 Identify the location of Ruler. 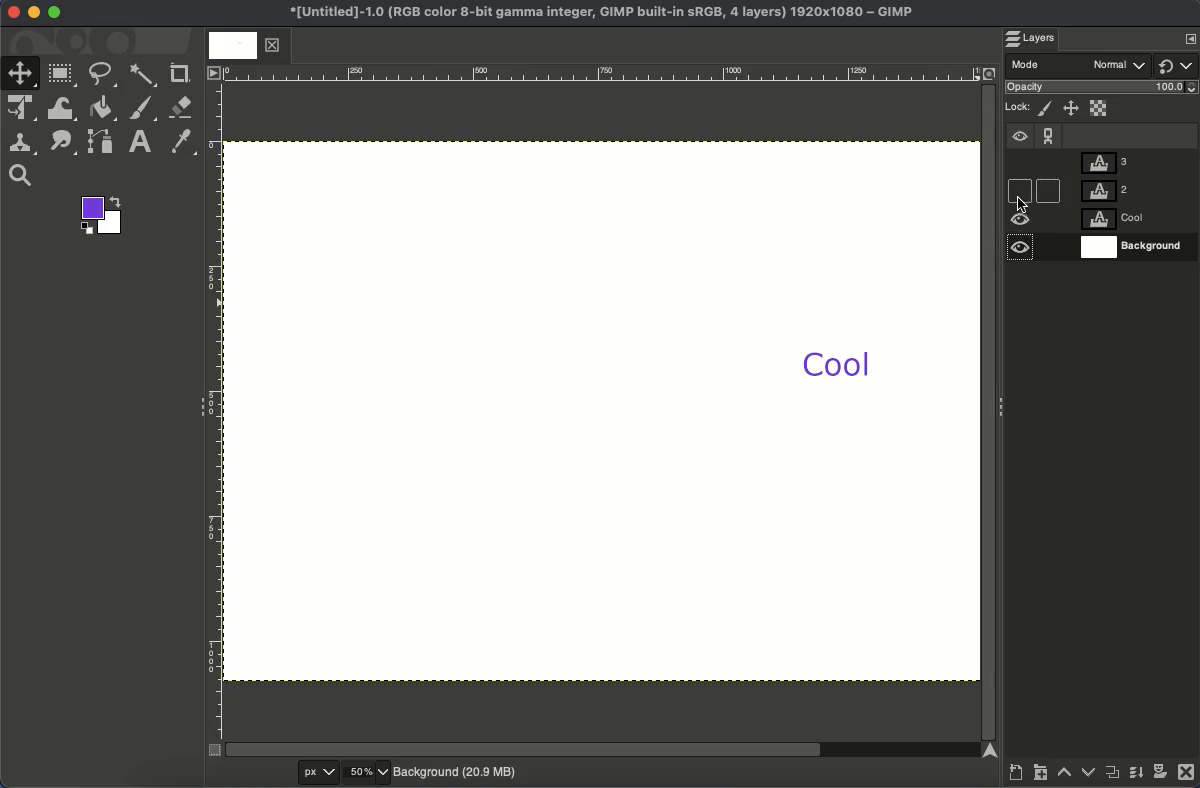
(601, 73).